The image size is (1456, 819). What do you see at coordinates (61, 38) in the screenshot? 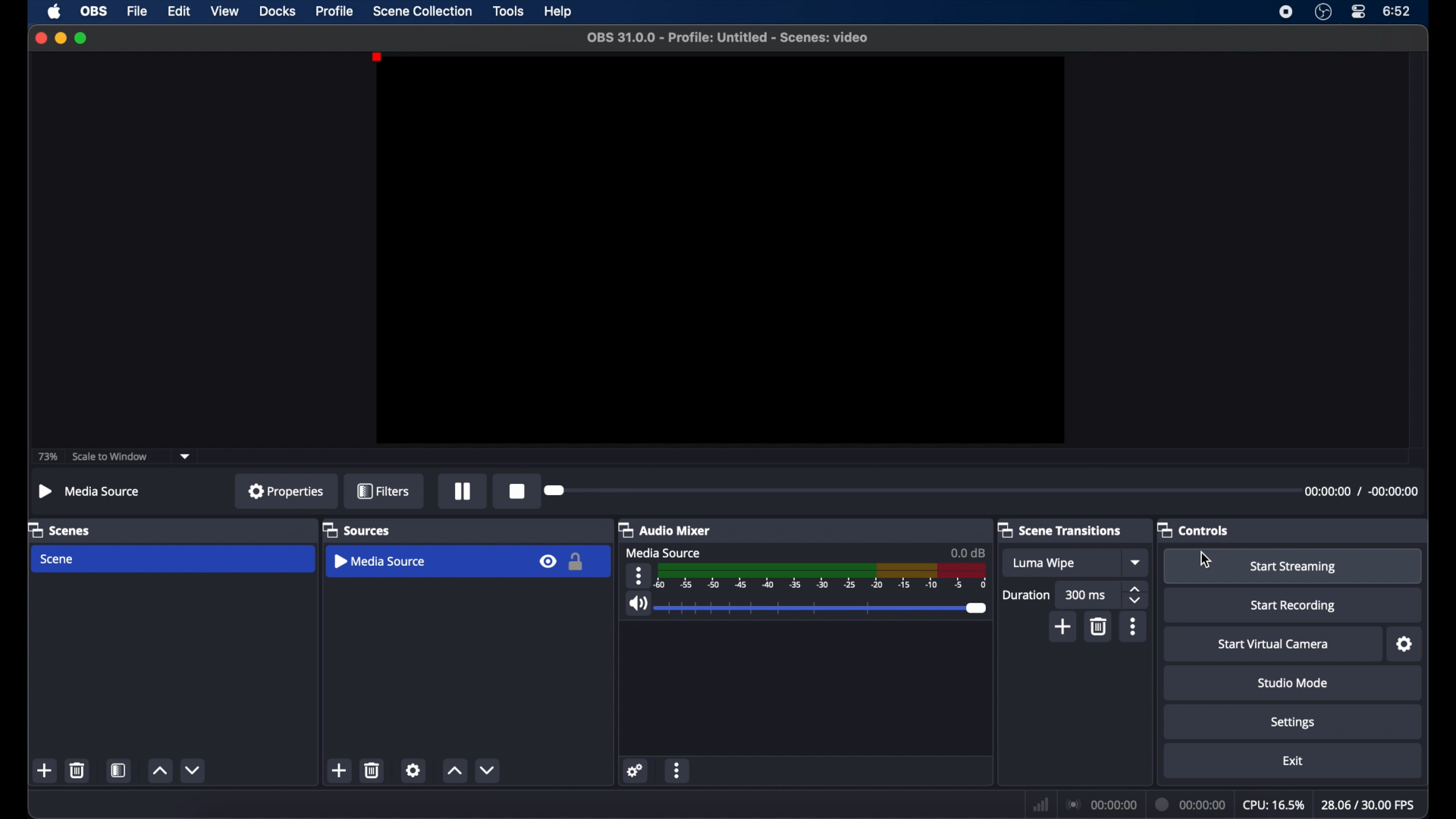
I see `minimize` at bounding box center [61, 38].